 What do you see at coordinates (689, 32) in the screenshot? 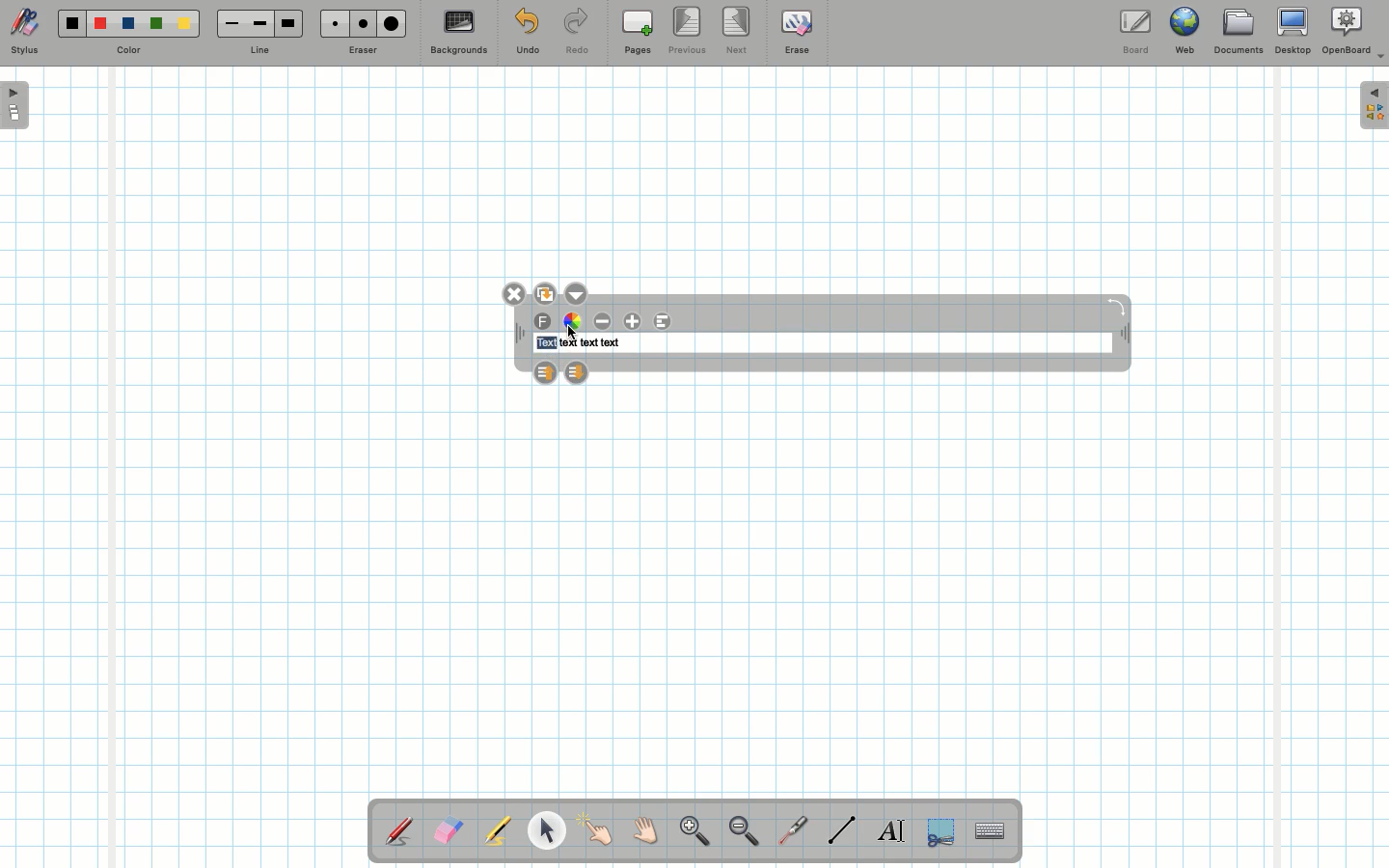
I see `Previous` at bounding box center [689, 32].